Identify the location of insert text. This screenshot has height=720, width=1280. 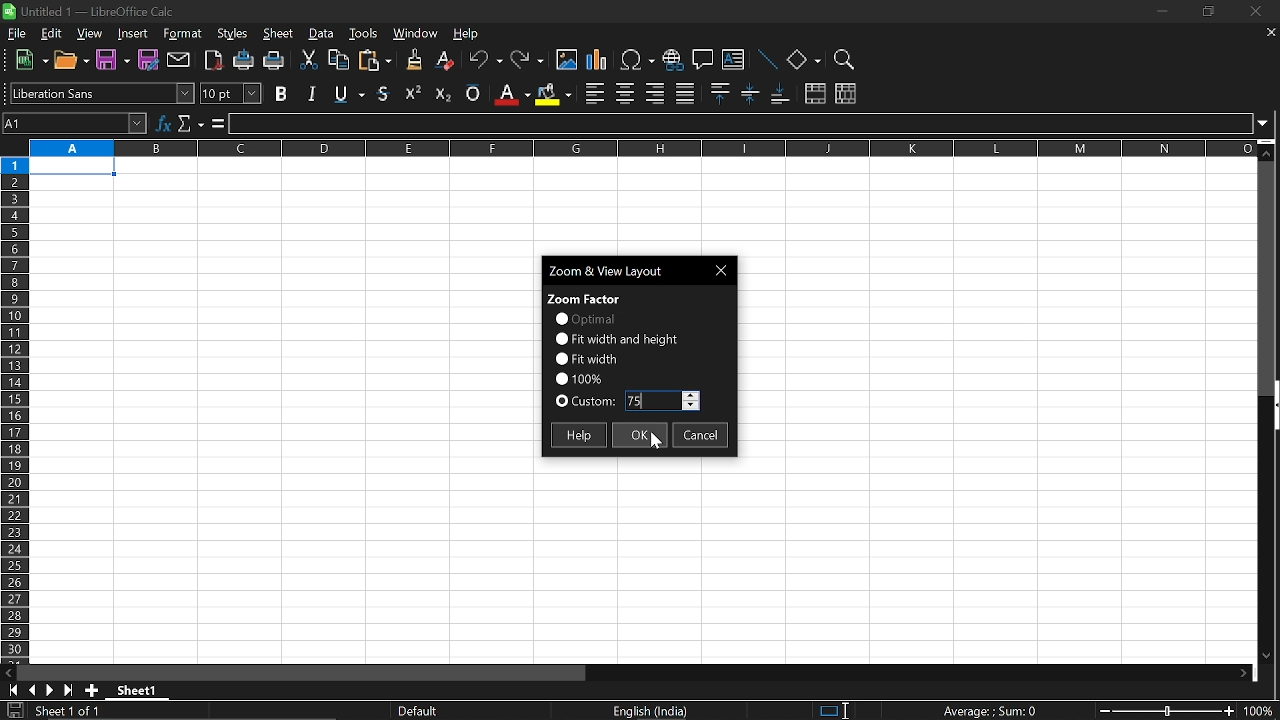
(733, 62).